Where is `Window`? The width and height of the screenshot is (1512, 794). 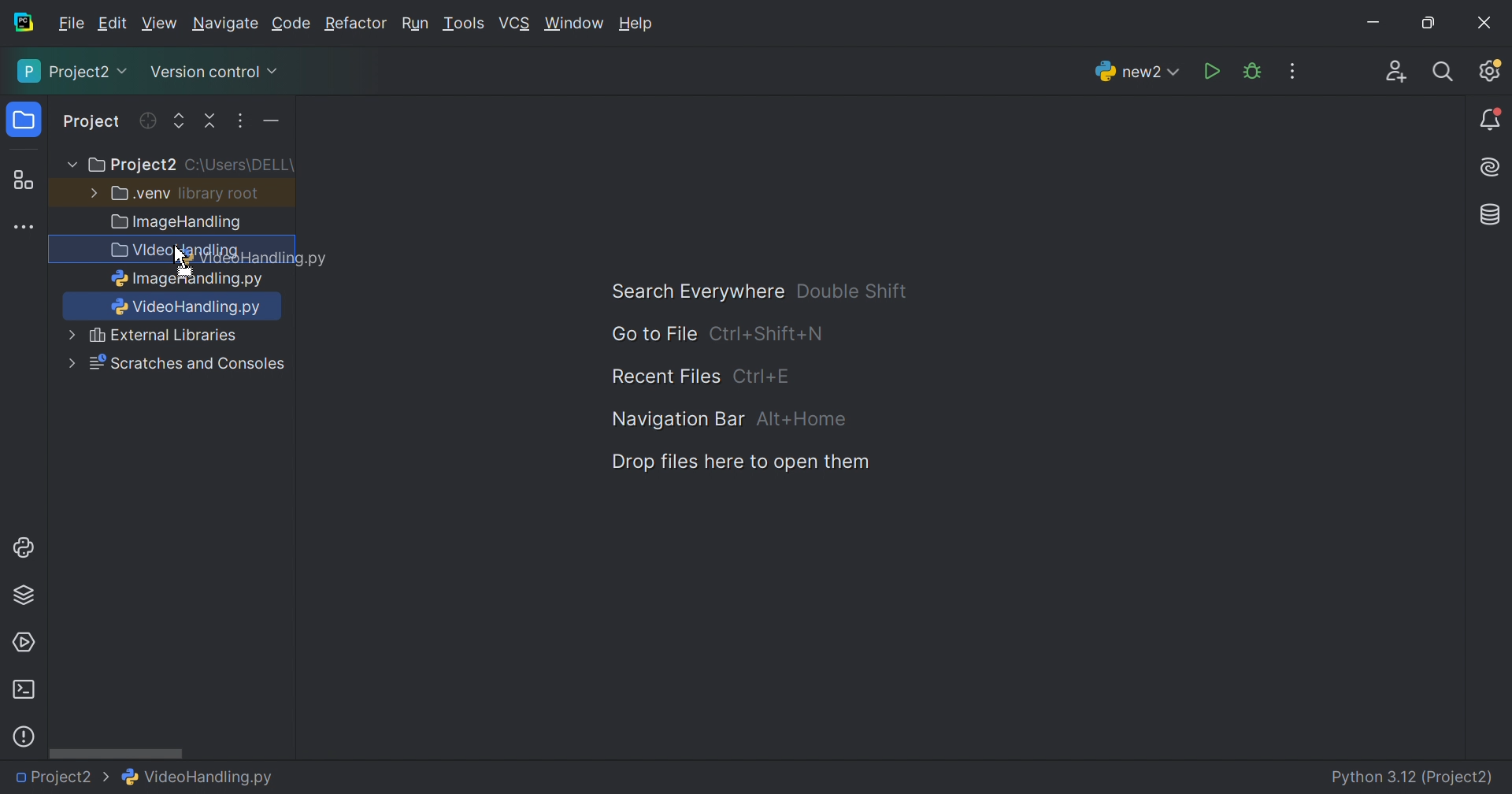 Window is located at coordinates (575, 25).